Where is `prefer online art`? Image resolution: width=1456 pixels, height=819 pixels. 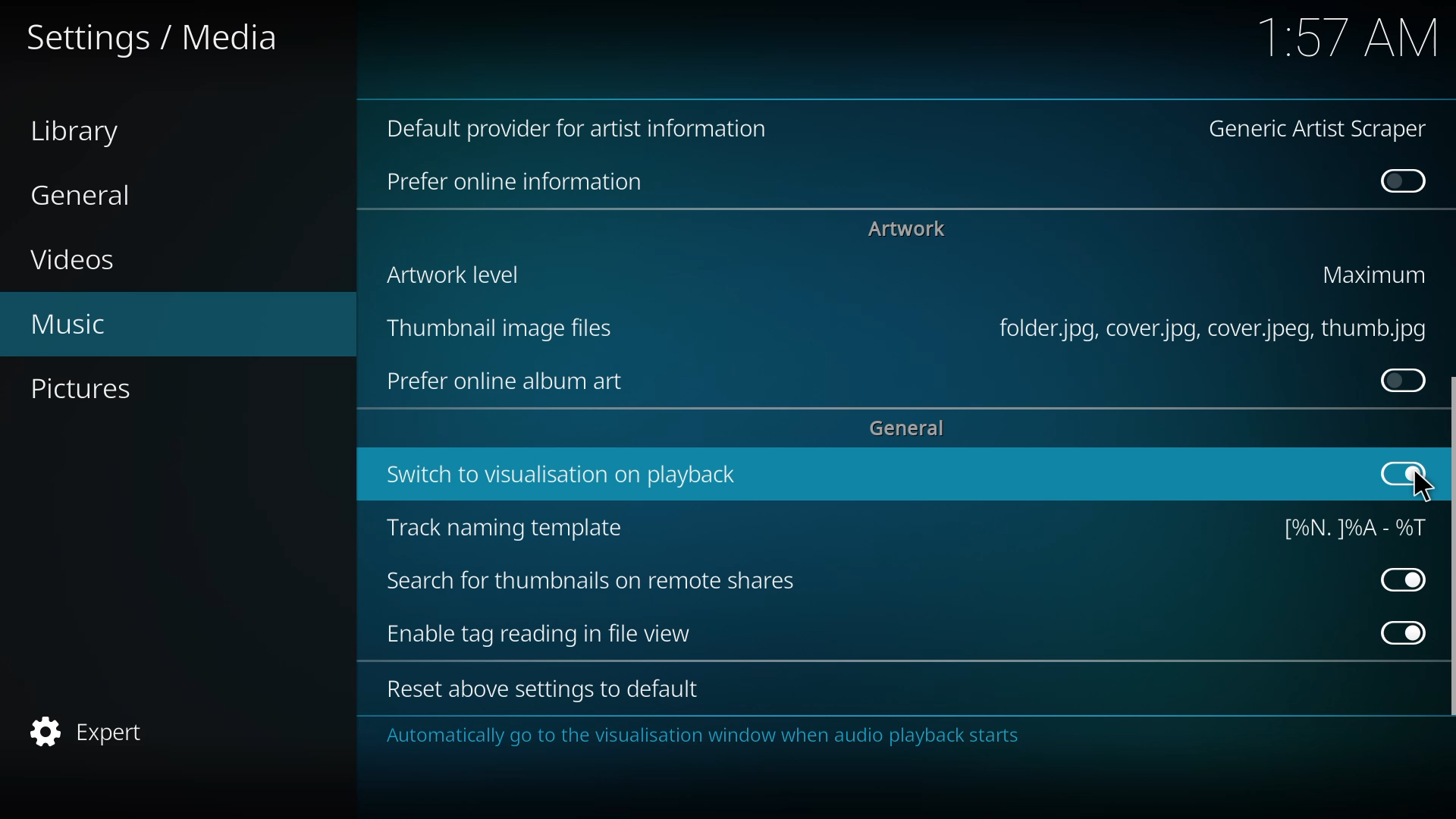
prefer online art is located at coordinates (503, 383).